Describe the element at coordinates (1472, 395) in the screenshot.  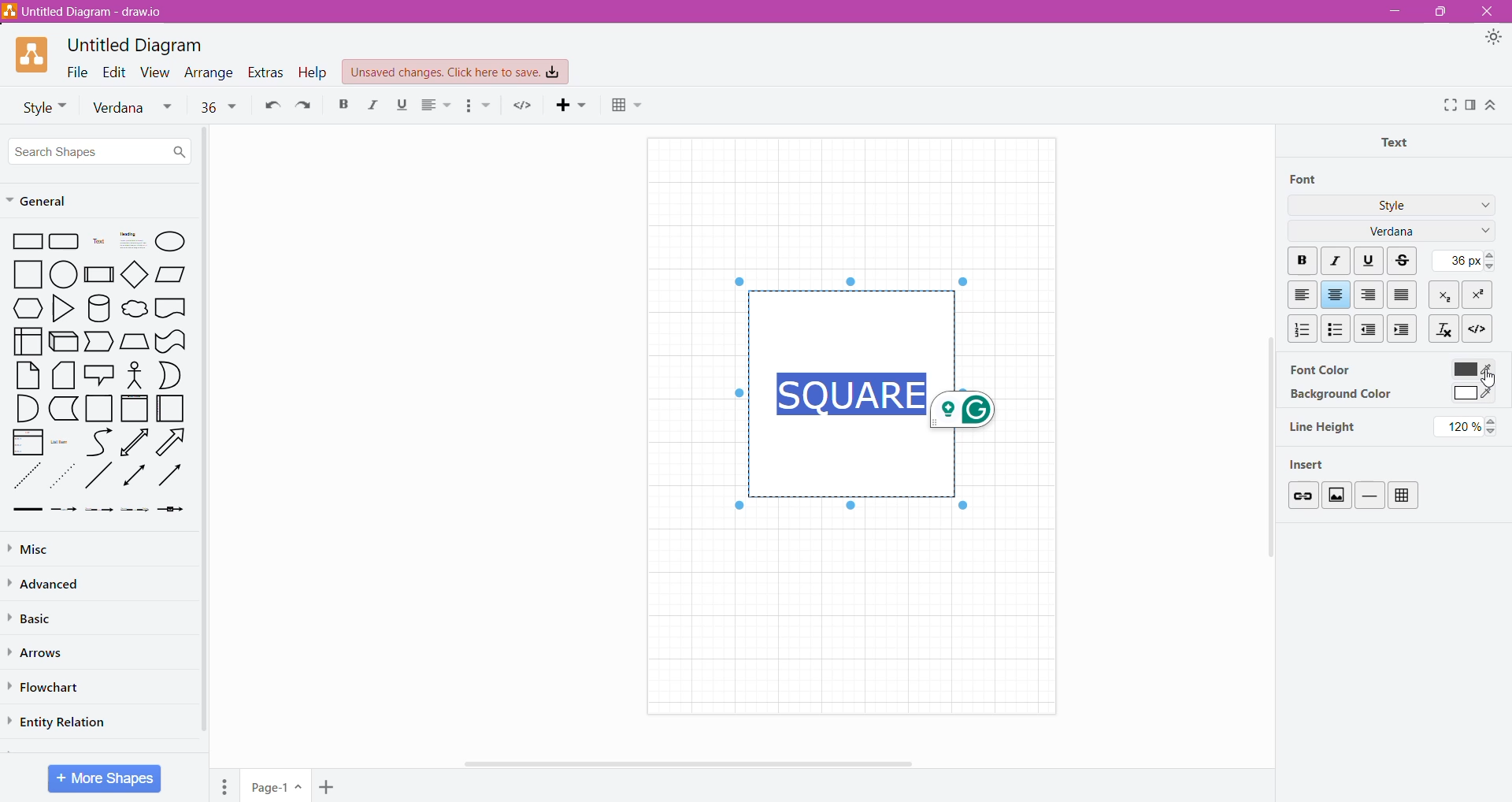
I see `Click to select Background color` at that location.